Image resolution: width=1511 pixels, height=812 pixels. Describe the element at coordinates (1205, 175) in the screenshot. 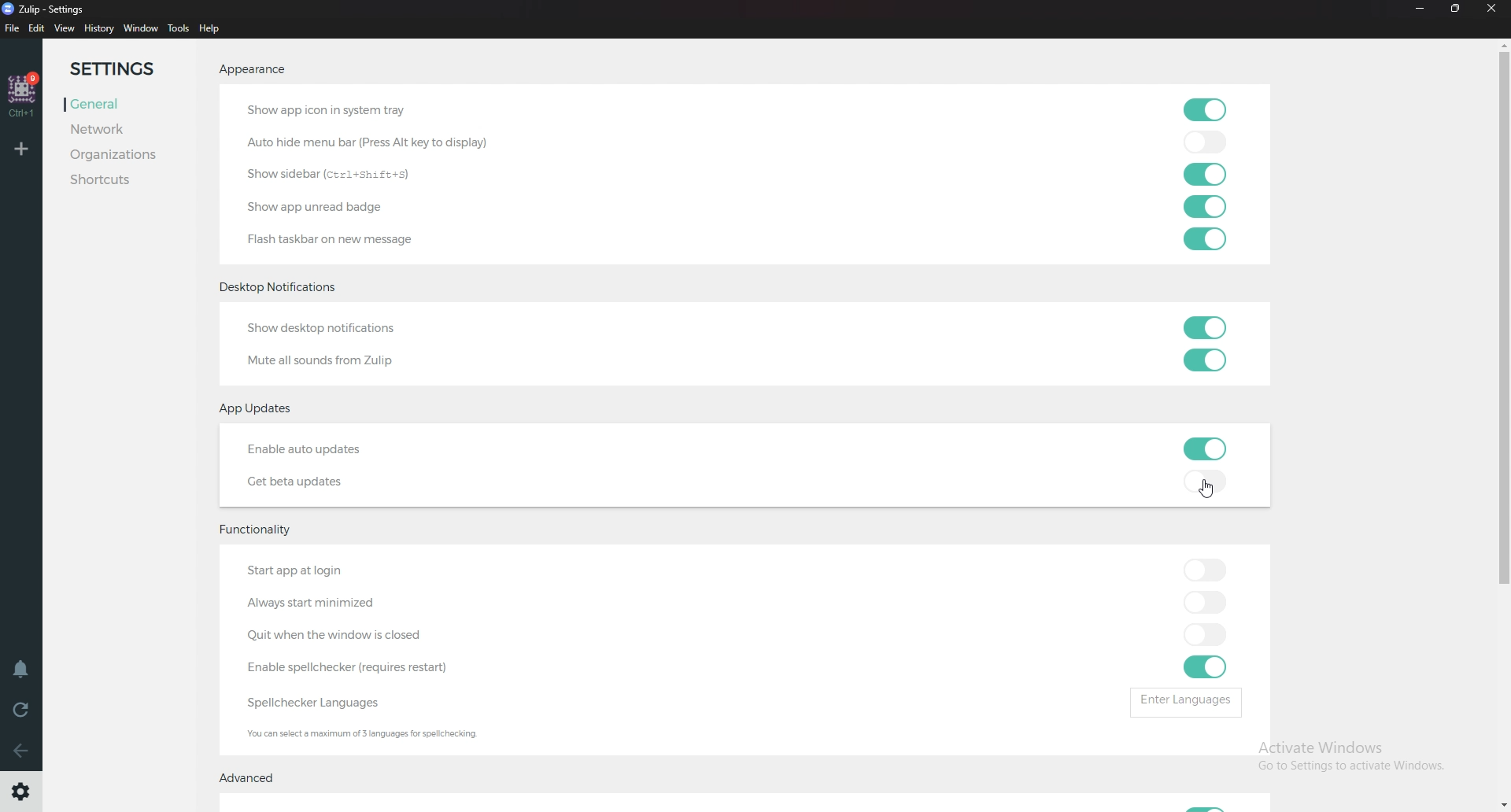

I see `toggle` at that location.